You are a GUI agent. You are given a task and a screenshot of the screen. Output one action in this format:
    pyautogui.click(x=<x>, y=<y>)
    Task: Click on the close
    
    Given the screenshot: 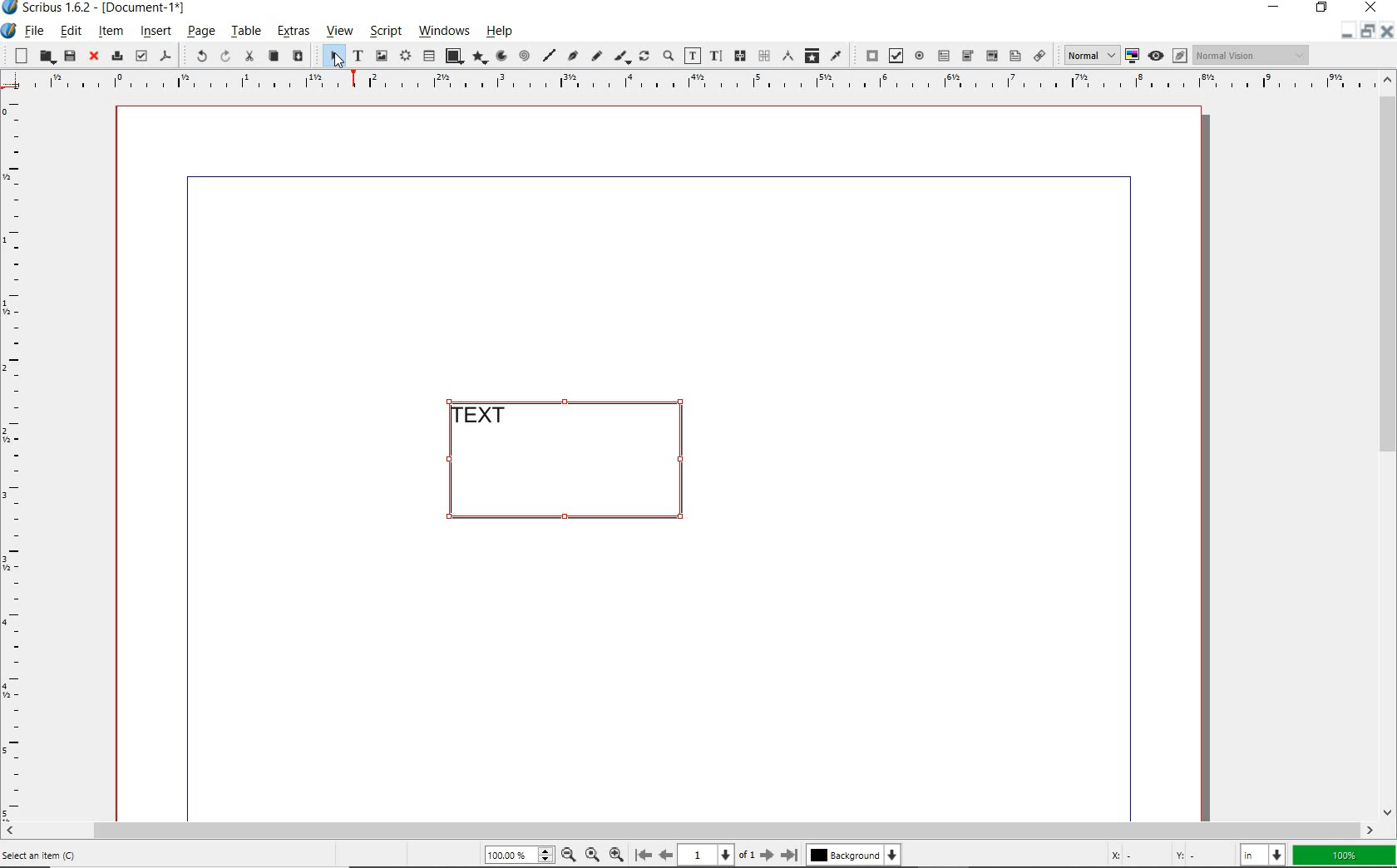 What is the action you would take?
    pyautogui.click(x=94, y=57)
    